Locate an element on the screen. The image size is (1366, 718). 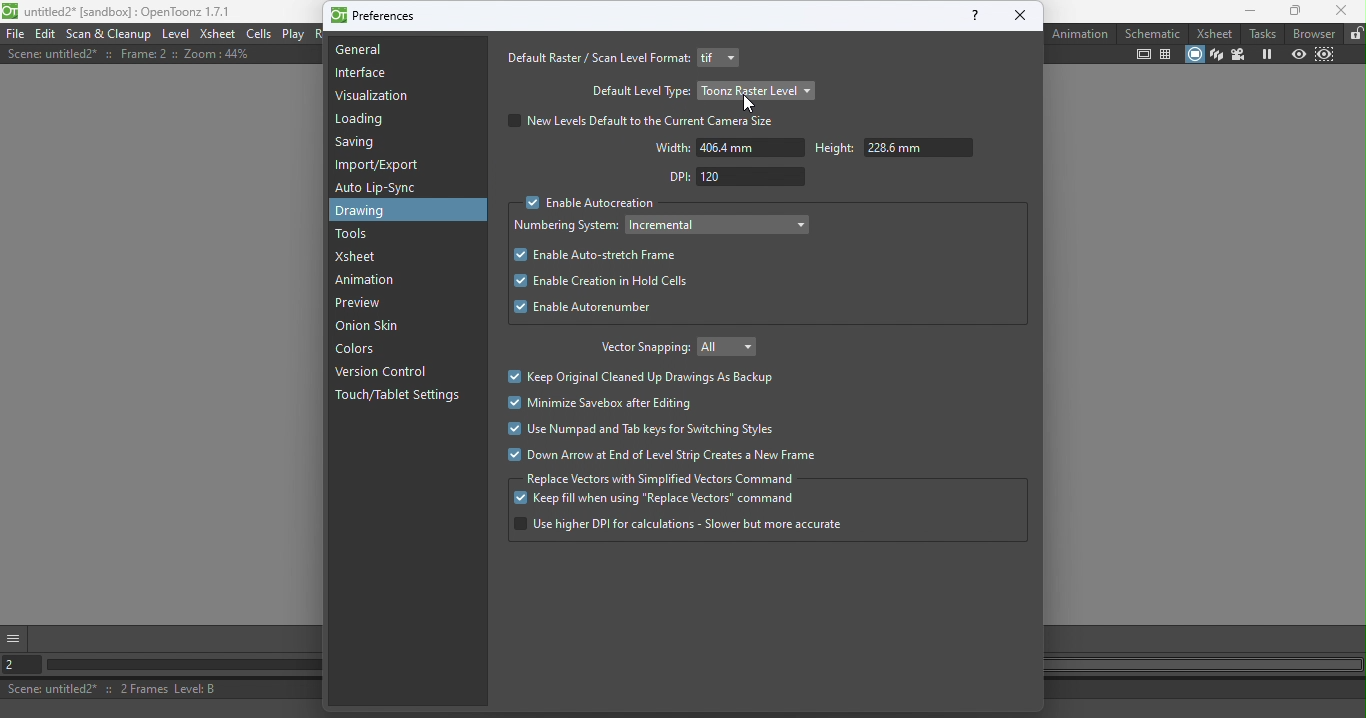
Use numpad and tab keys for switching styles is located at coordinates (641, 431).